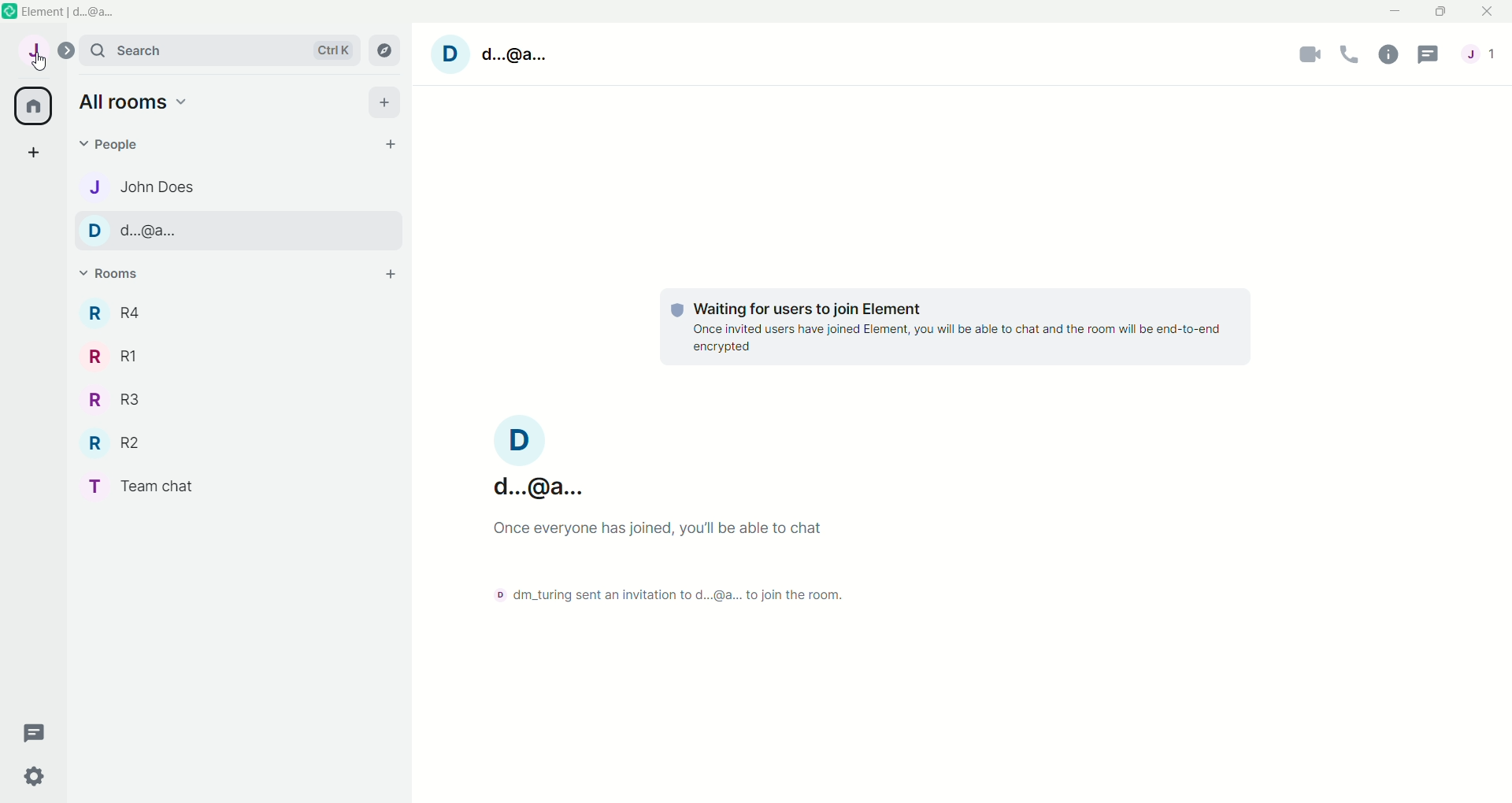  I want to click on Maximize, so click(1439, 13).